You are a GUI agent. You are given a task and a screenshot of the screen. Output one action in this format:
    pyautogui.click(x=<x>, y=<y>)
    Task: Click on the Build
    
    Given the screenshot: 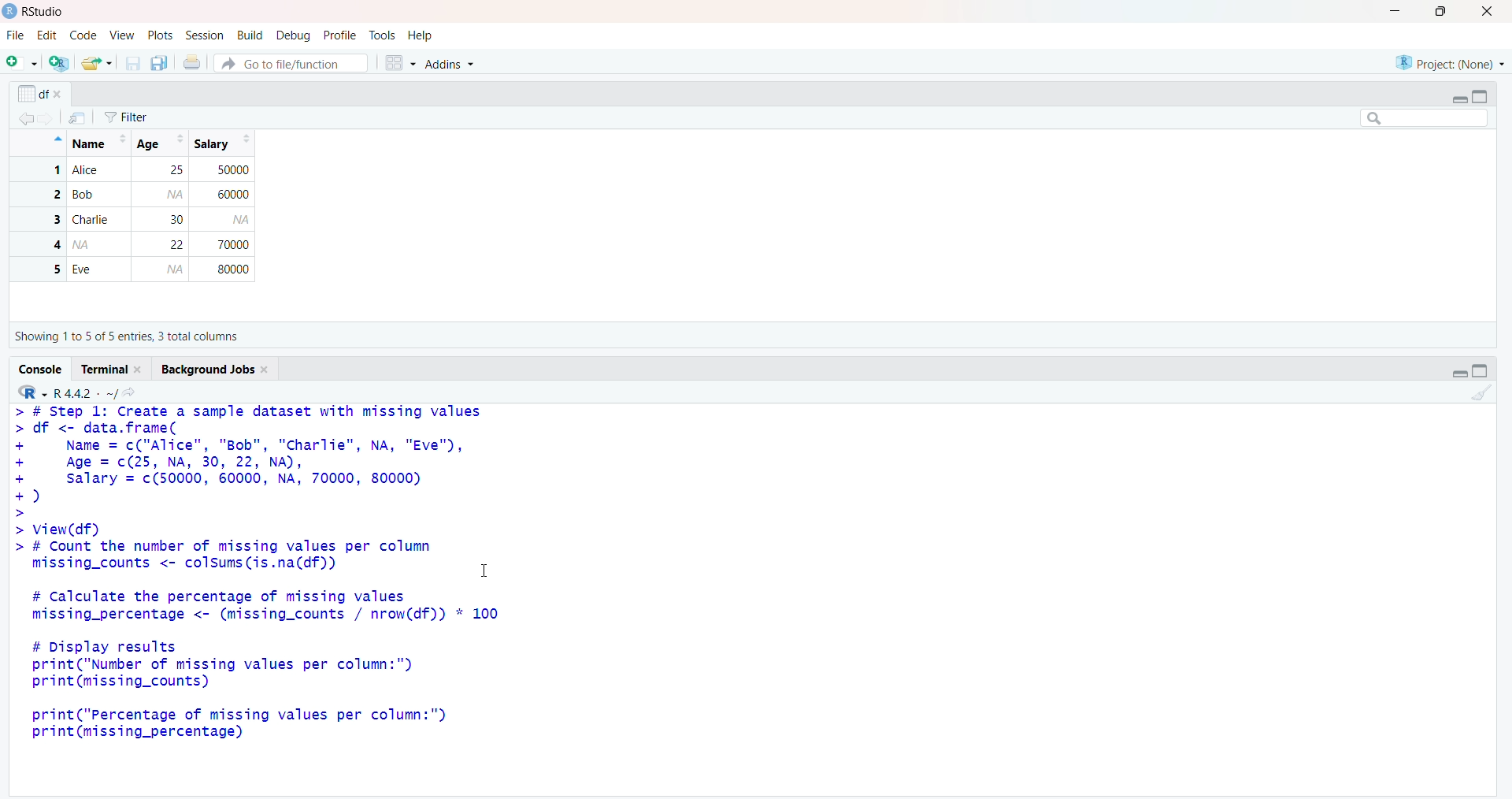 What is the action you would take?
    pyautogui.click(x=250, y=33)
    